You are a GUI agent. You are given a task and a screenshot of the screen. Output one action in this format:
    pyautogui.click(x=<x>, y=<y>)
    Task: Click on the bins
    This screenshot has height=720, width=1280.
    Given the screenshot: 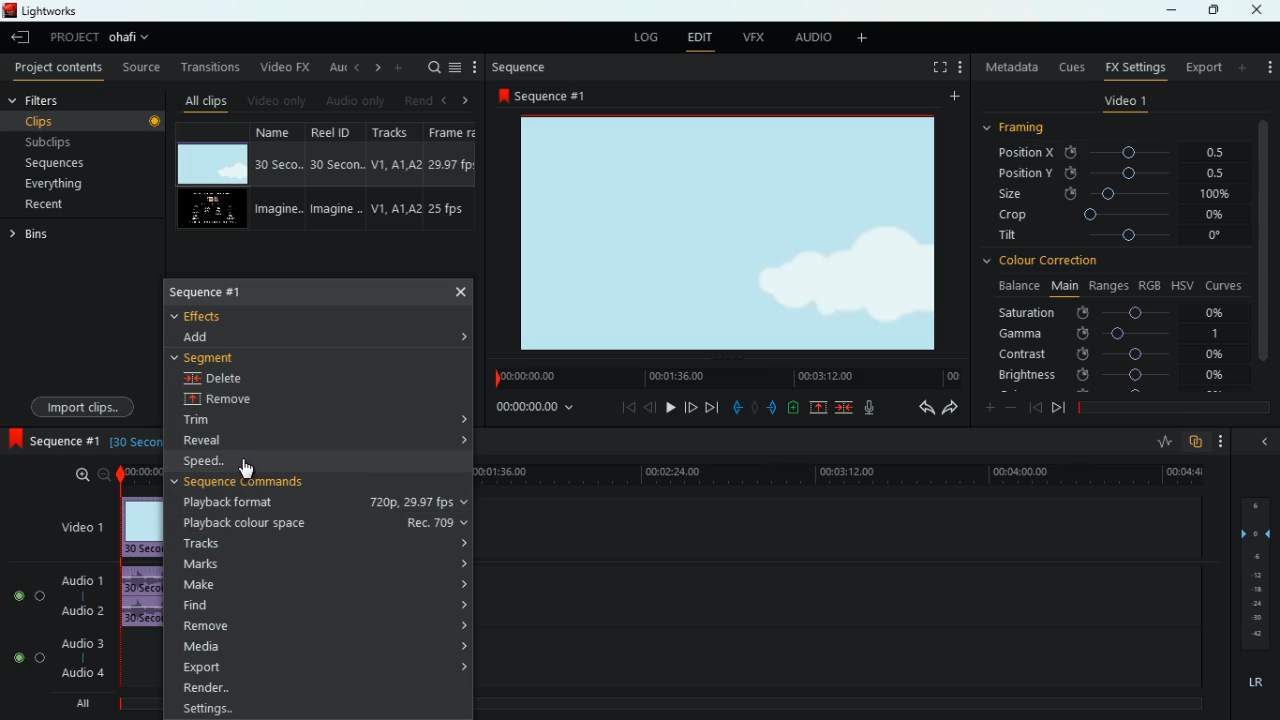 What is the action you would take?
    pyautogui.click(x=39, y=235)
    